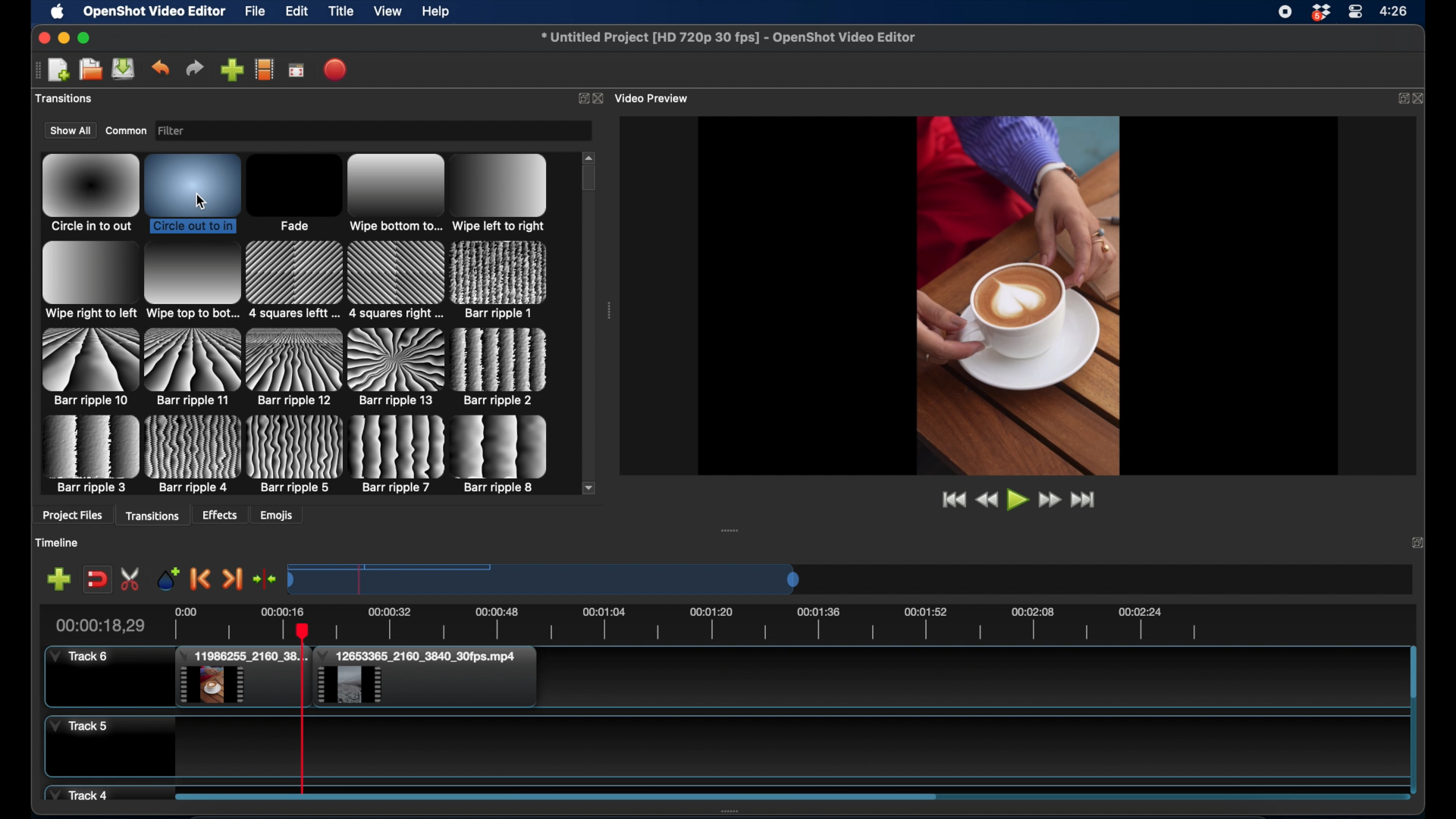  What do you see at coordinates (90, 454) in the screenshot?
I see `transition` at bounding box center [90, 454].